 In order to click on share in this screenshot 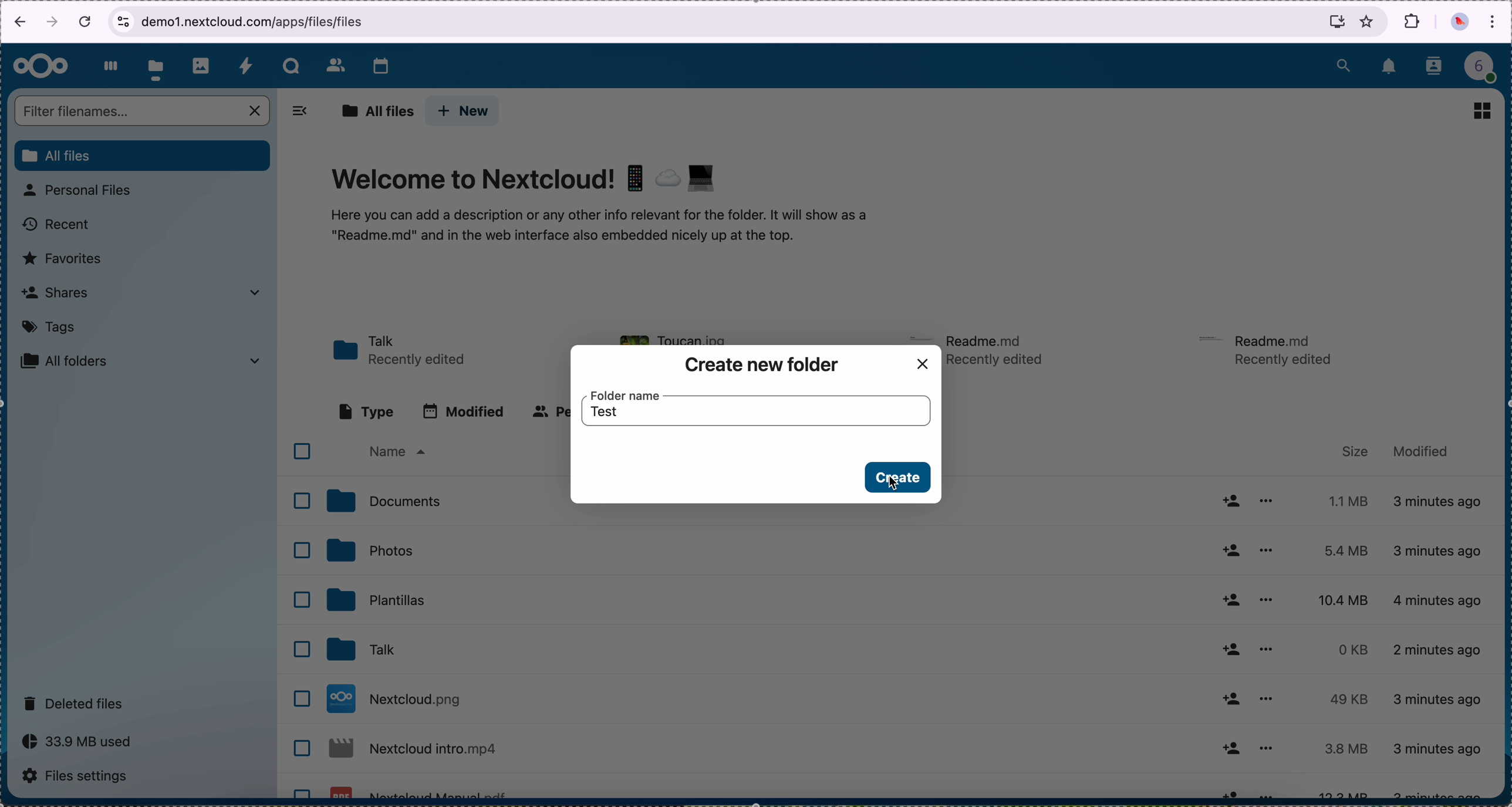, I will do `click(1229, 501)`.